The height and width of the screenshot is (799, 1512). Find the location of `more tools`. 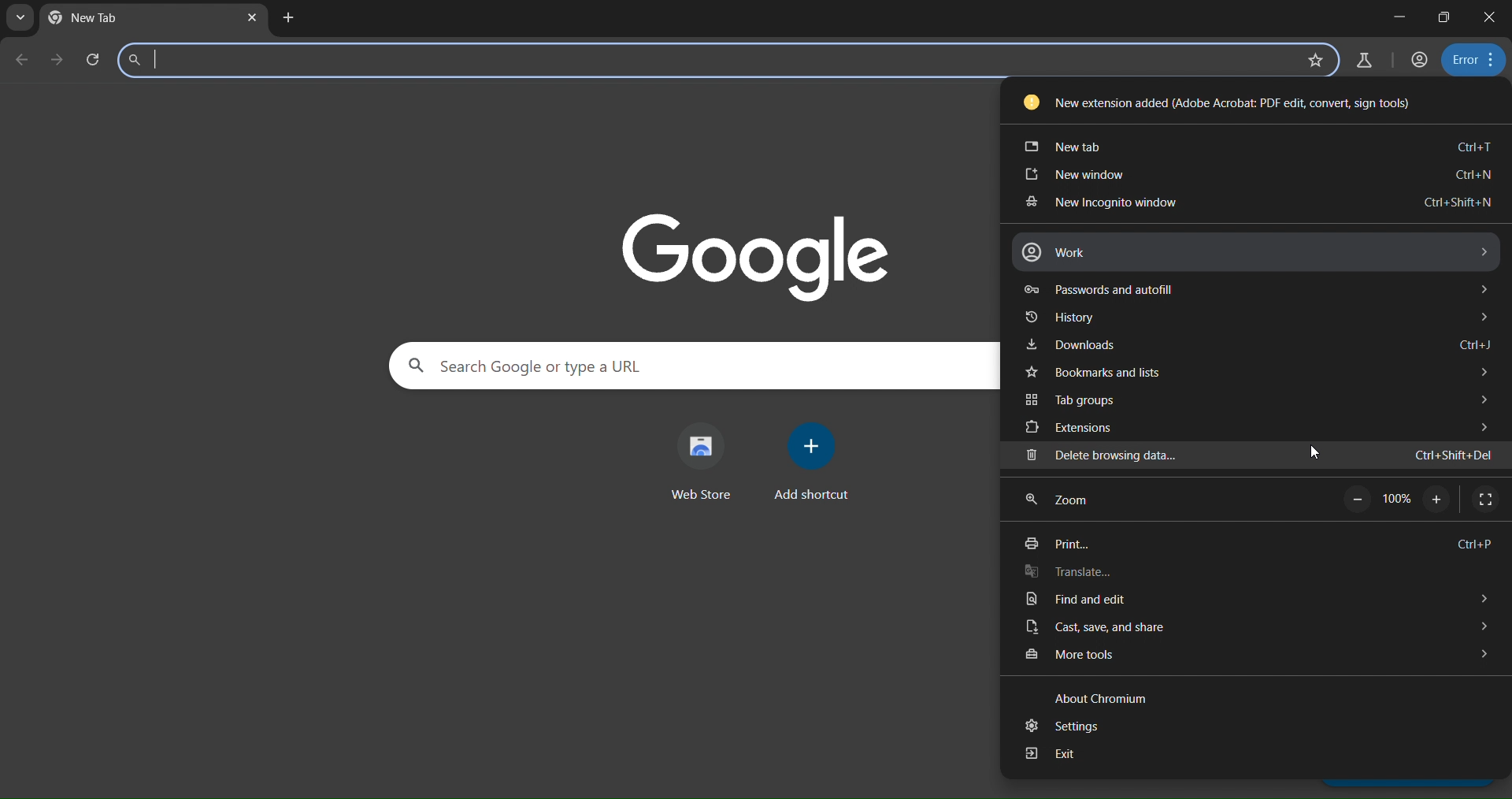

more tools is located at coordinates (1257, 656).